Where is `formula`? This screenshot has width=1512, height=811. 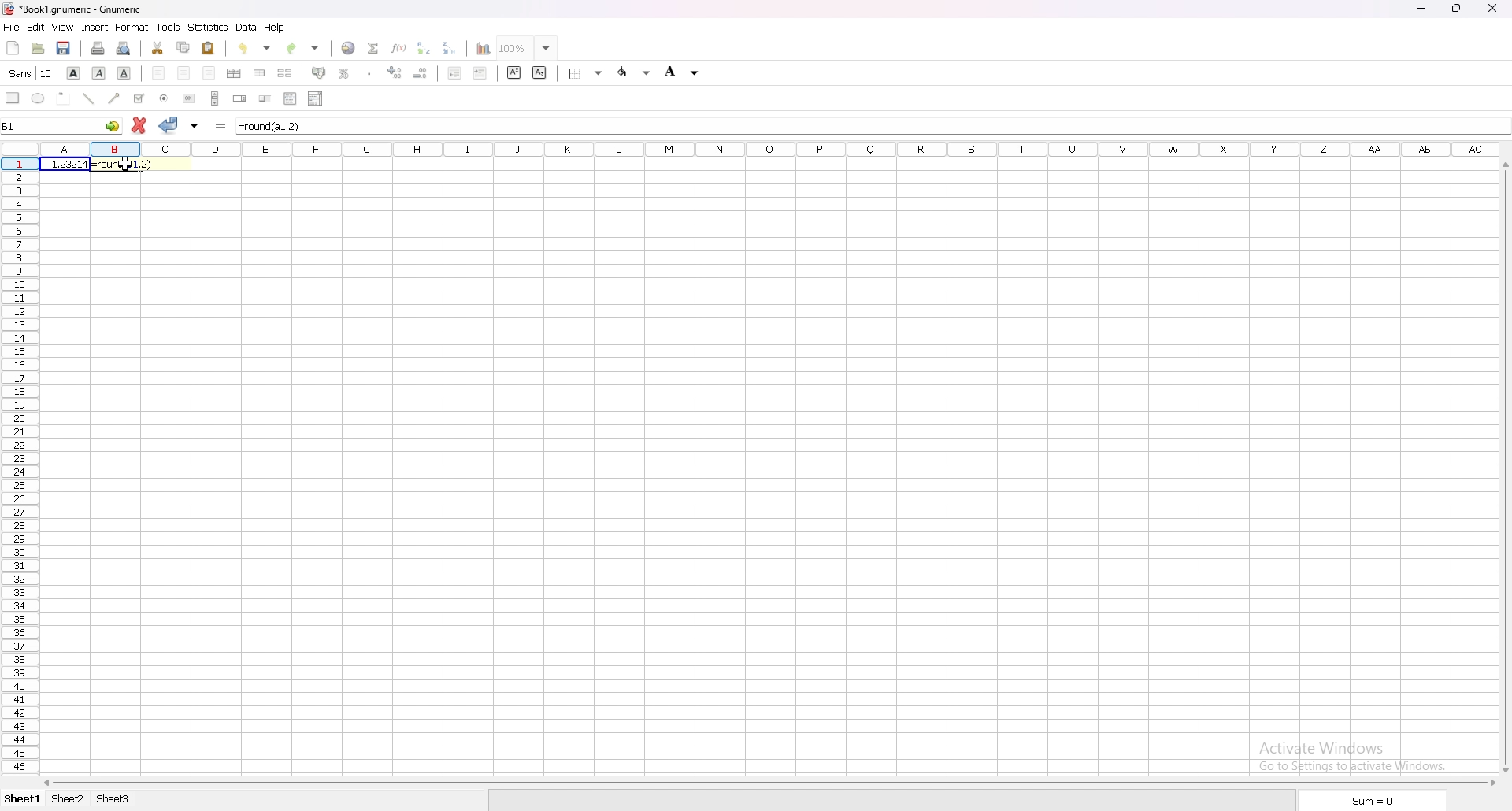
formula is located at coordinates (124, 165).